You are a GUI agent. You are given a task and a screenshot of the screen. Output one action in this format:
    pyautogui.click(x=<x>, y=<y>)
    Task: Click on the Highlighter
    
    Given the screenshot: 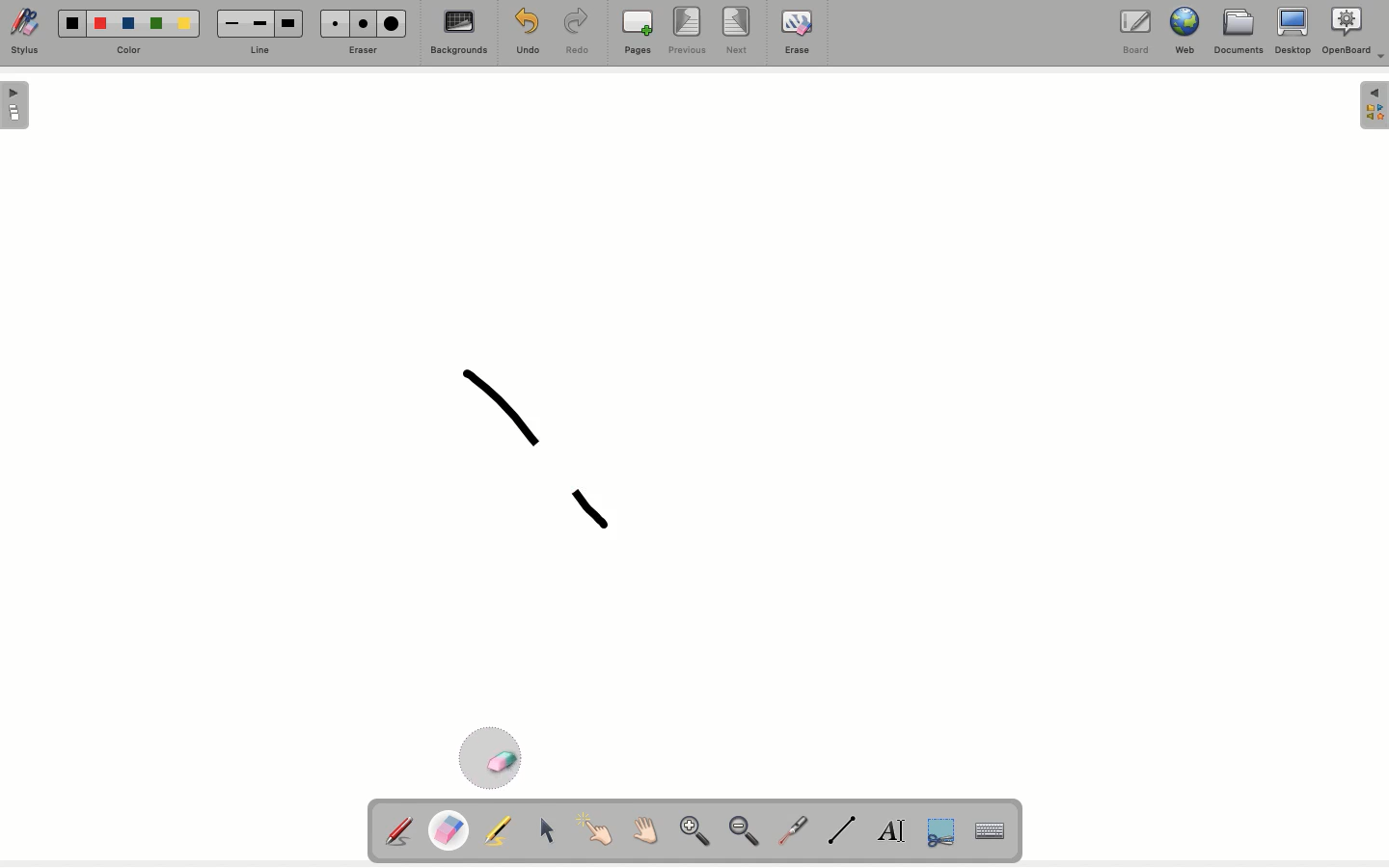 What is the action you would take?
    pyautogui.click(x=502, y=830)
    